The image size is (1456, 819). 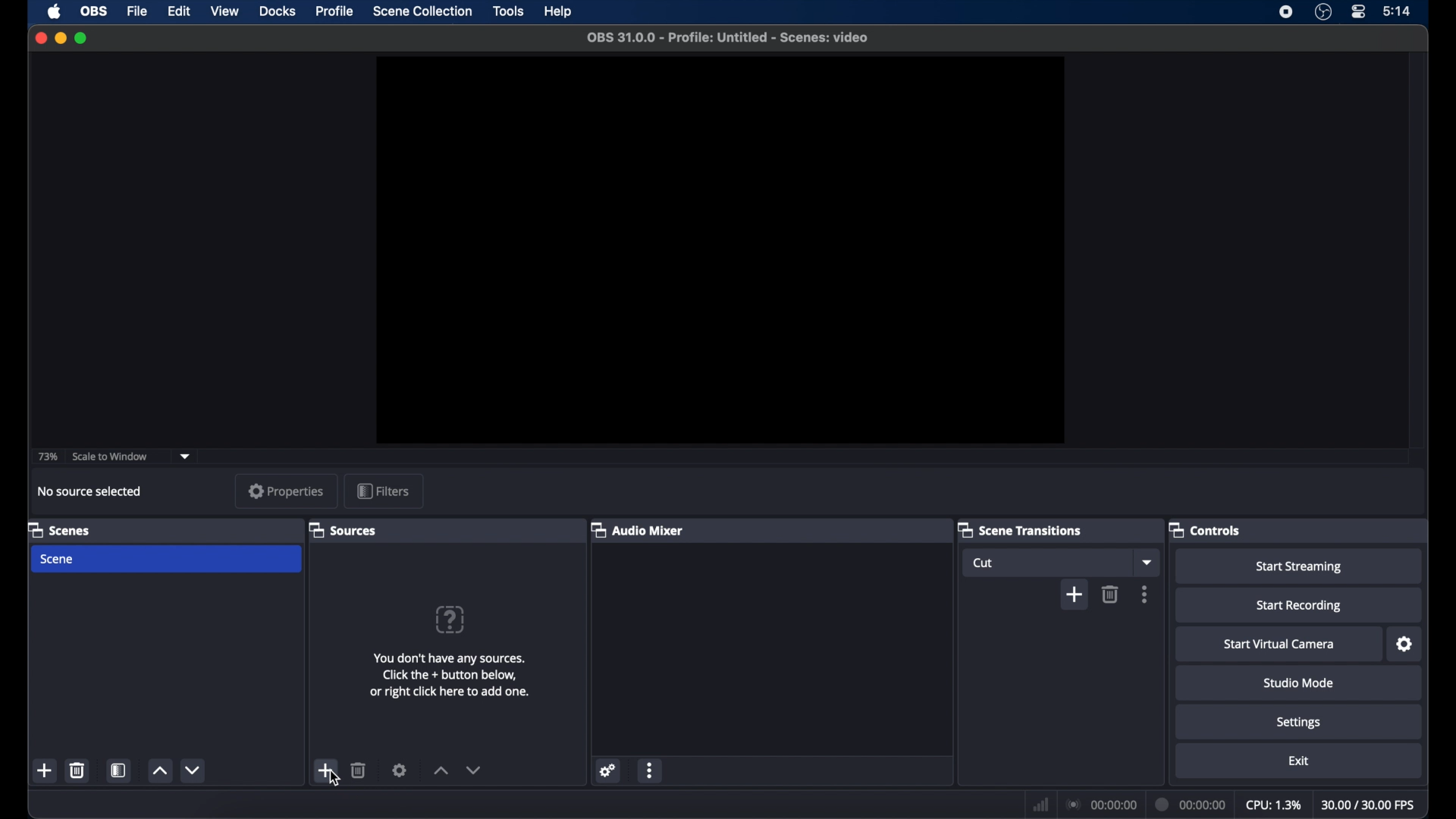 I want to click on scene, so click(x=58, y=560).